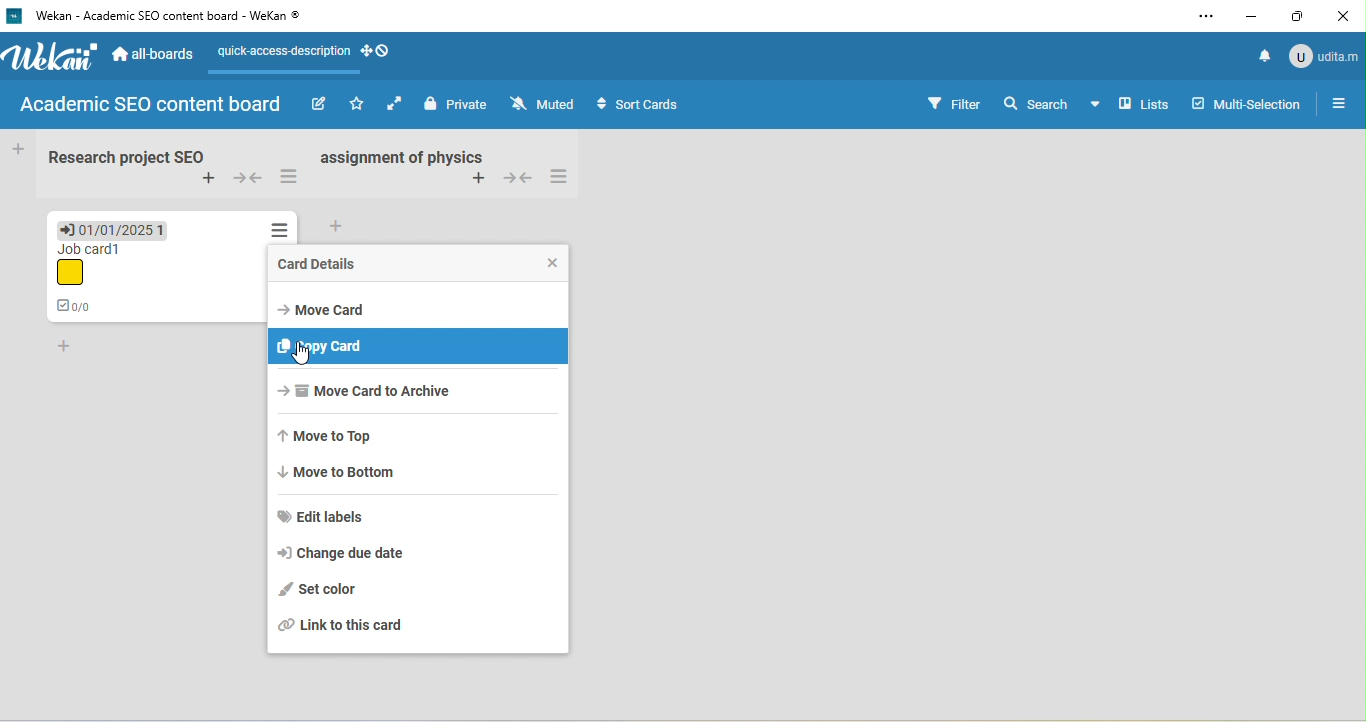 This screenshot has height=722, width=1366. What do you see at coordinates (1250, 105) in the screenshot?
I see `multi selection` at bounding box center [1250, 105].